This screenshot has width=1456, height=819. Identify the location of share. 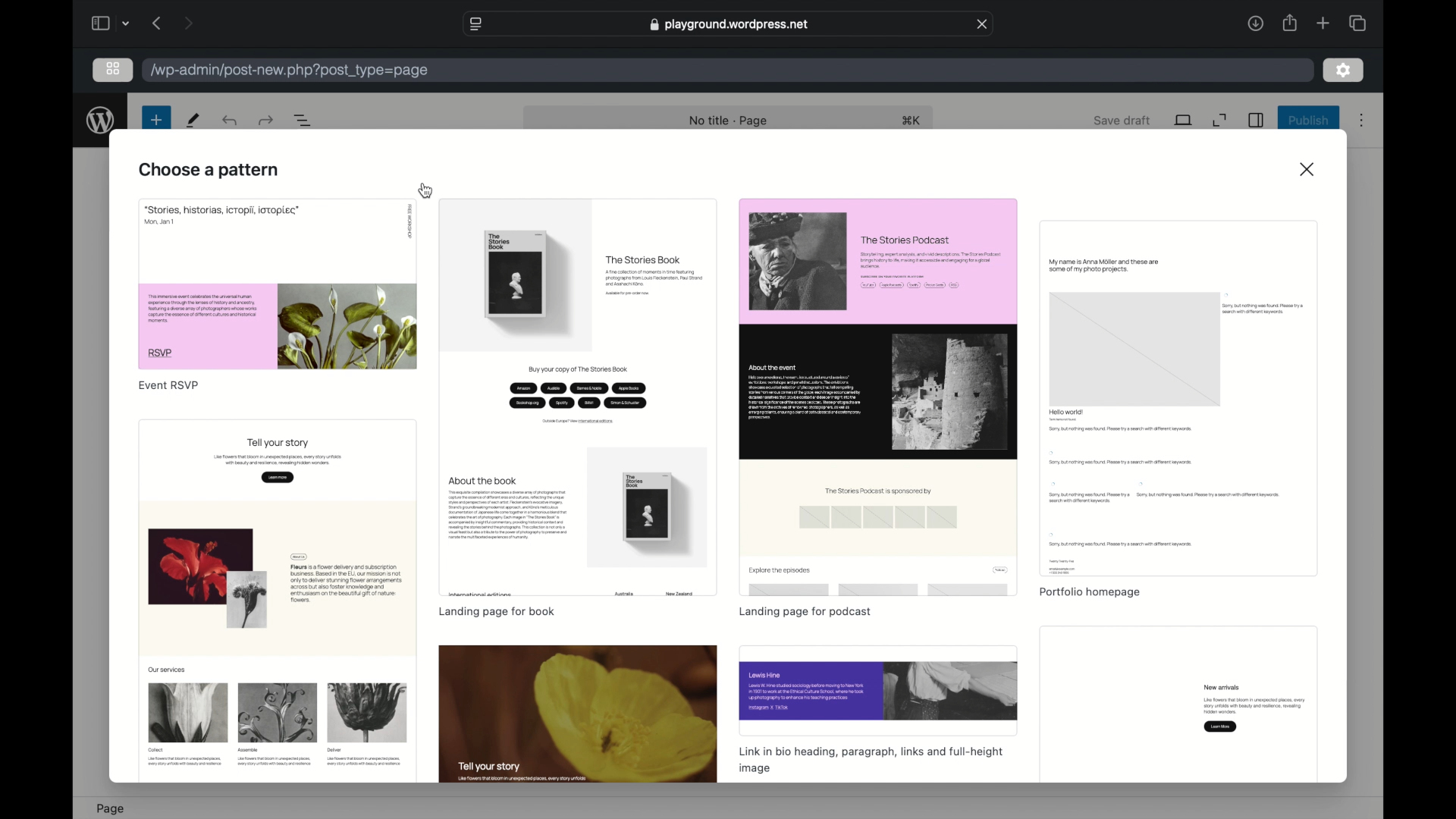
(1288, 23).